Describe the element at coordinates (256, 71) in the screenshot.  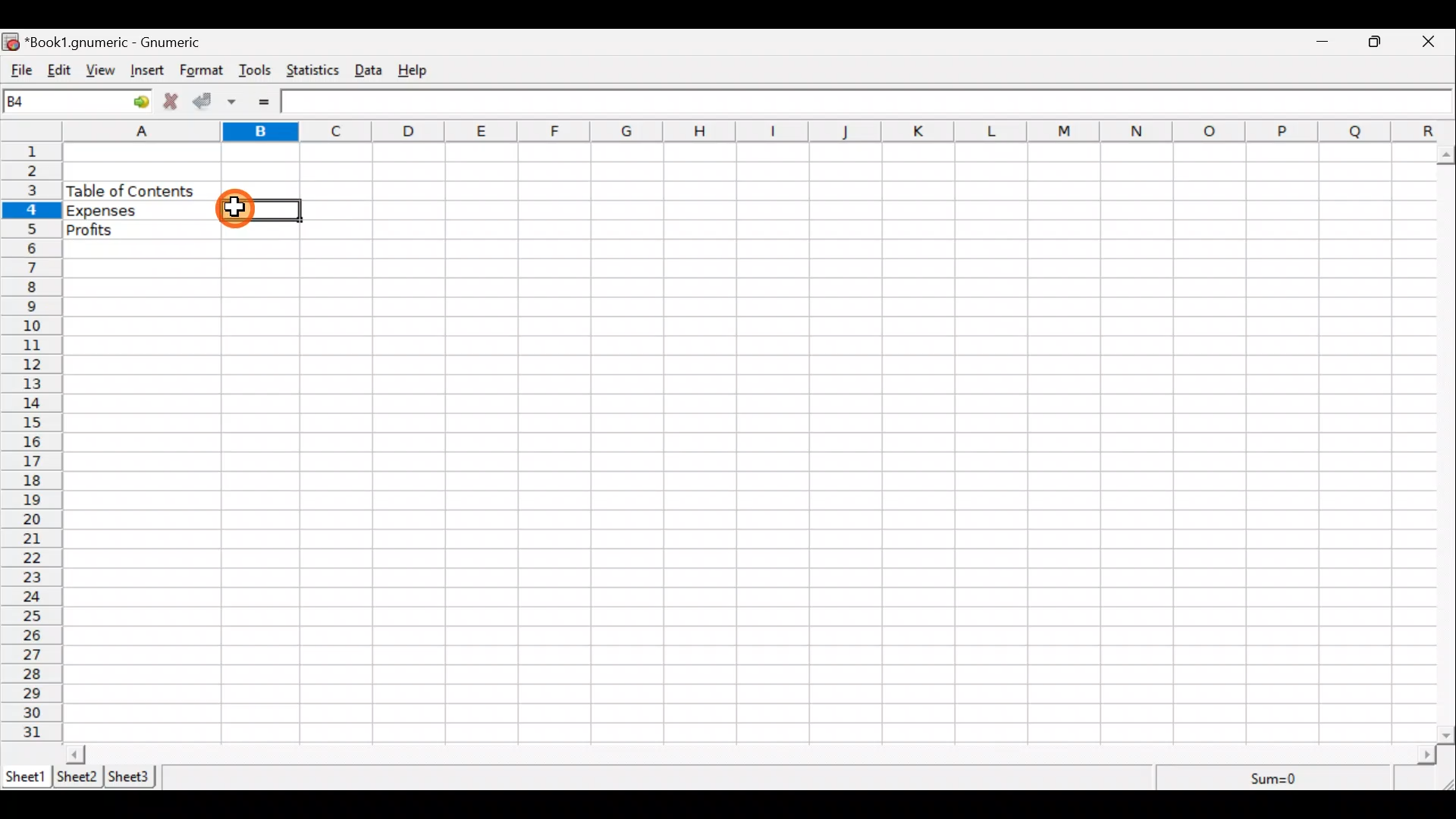
I see `Tools` at that location.